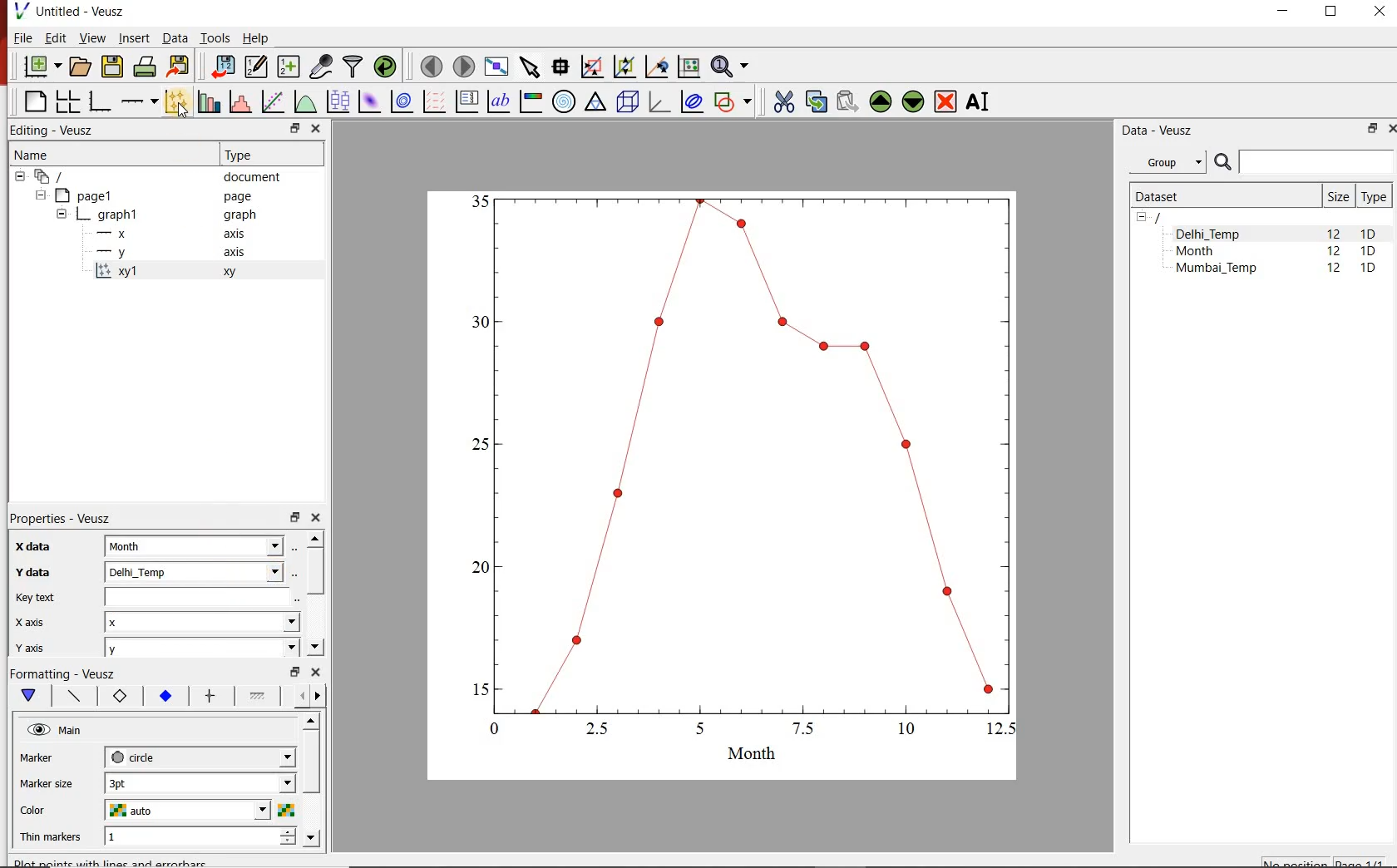  Describe the element at coordinates (22, 37) in the screenshot. I see `File` at that location.